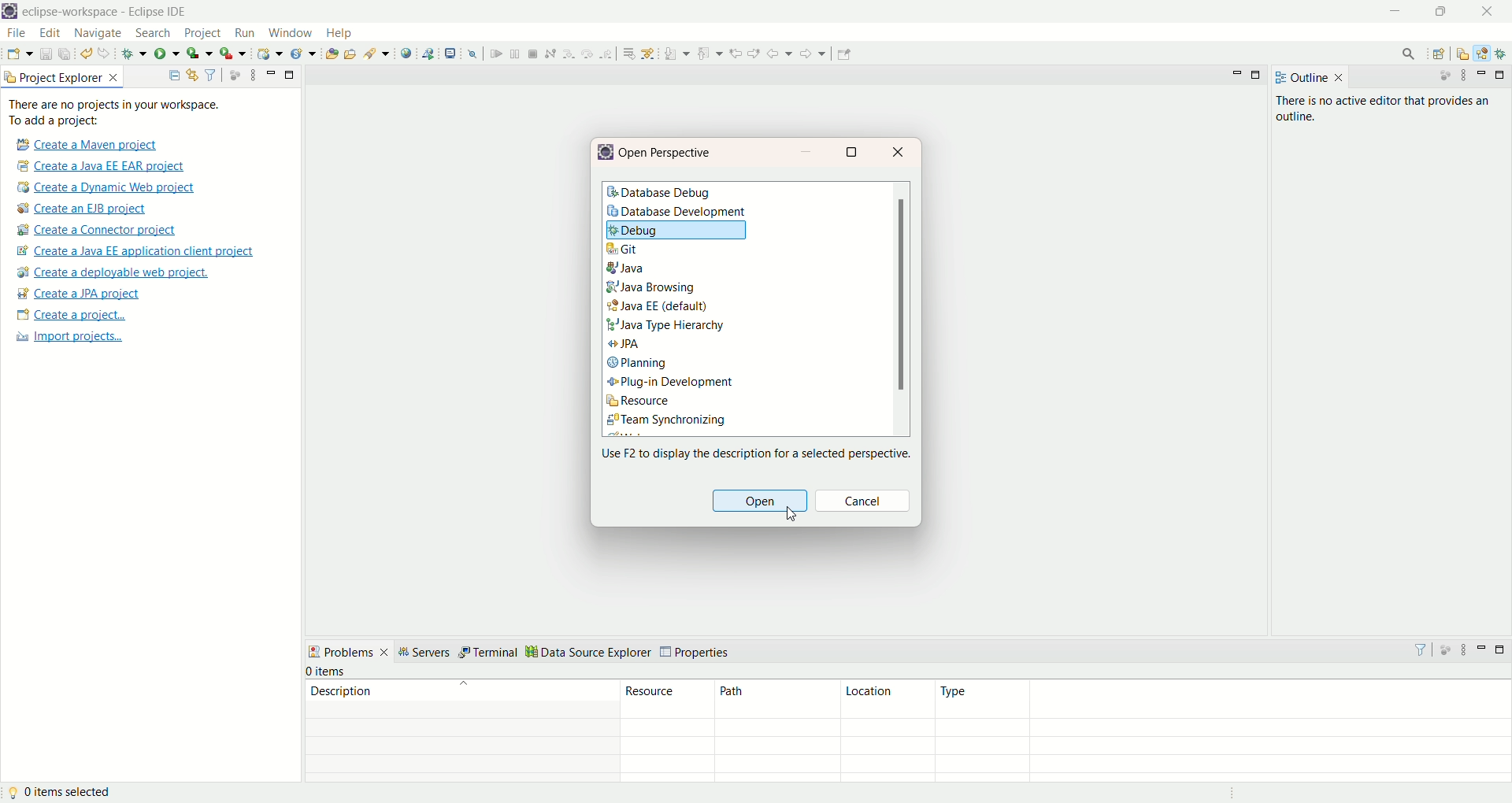 This screenshot has height=803, width=1512. I want to click on focus on active task, so click(234, 76).